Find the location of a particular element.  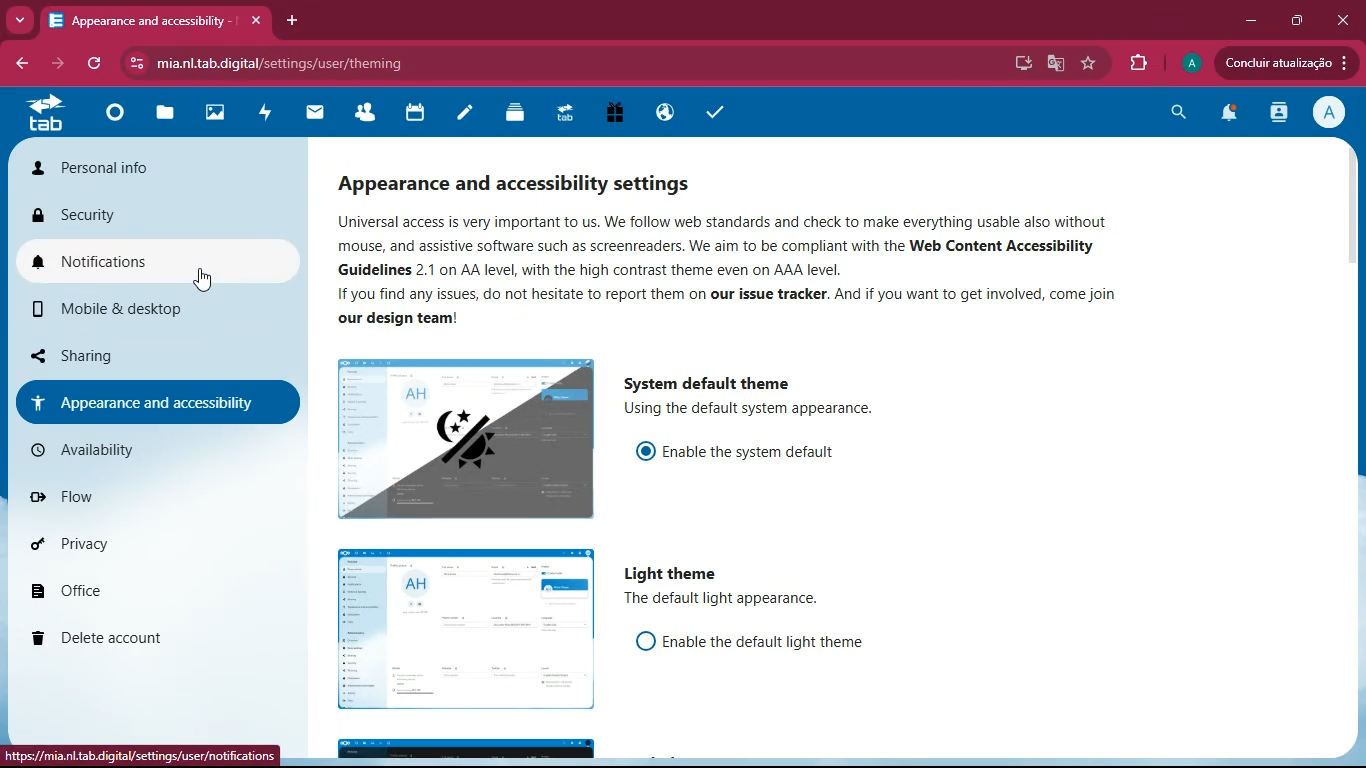

activity is located at coordinates (1274, 114).